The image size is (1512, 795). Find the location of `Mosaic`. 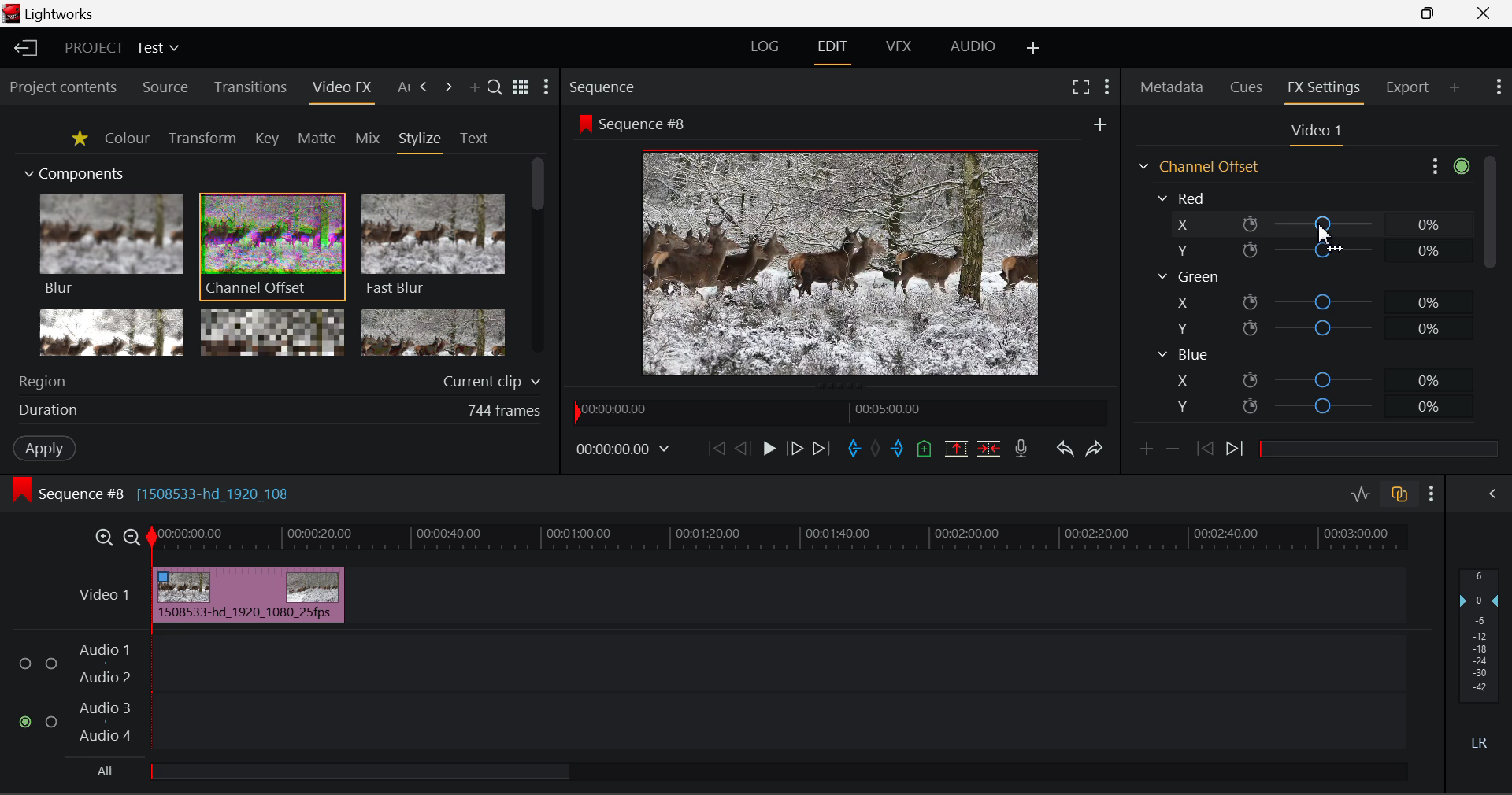

Mosaic is located at coordinates (272, 331).